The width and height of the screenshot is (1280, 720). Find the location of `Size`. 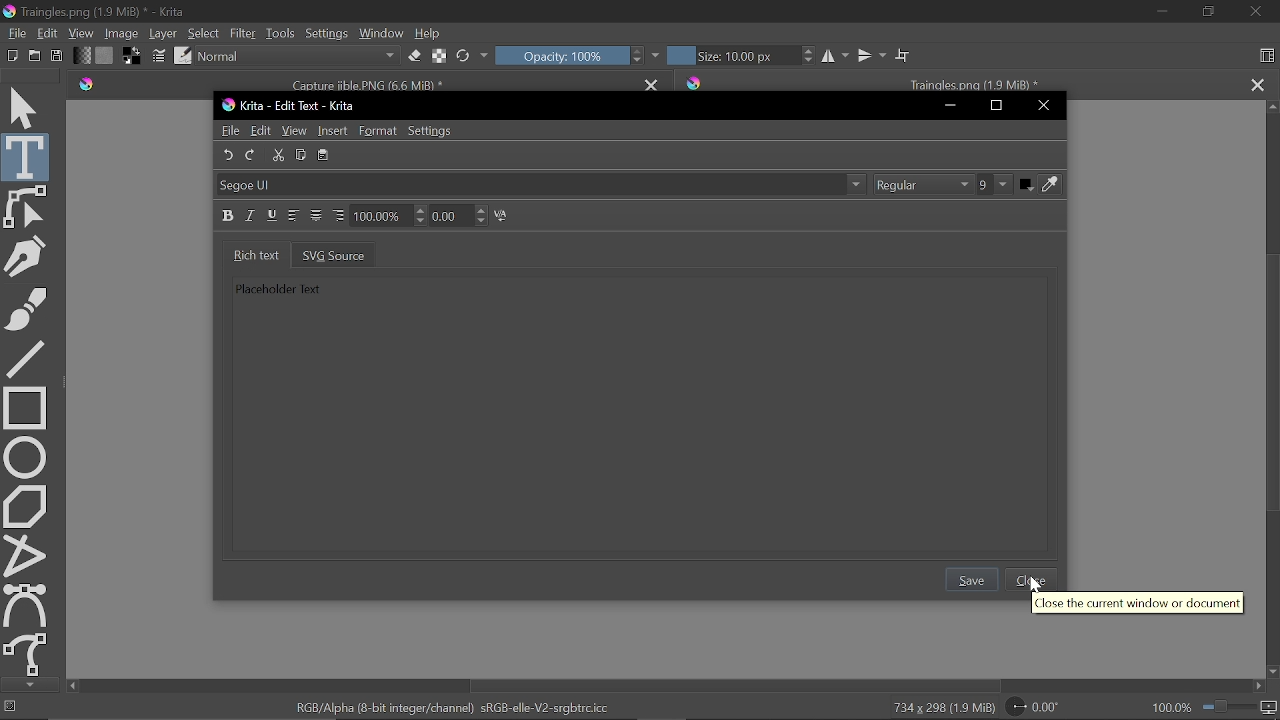

Size is located at coordinates (730, 55).